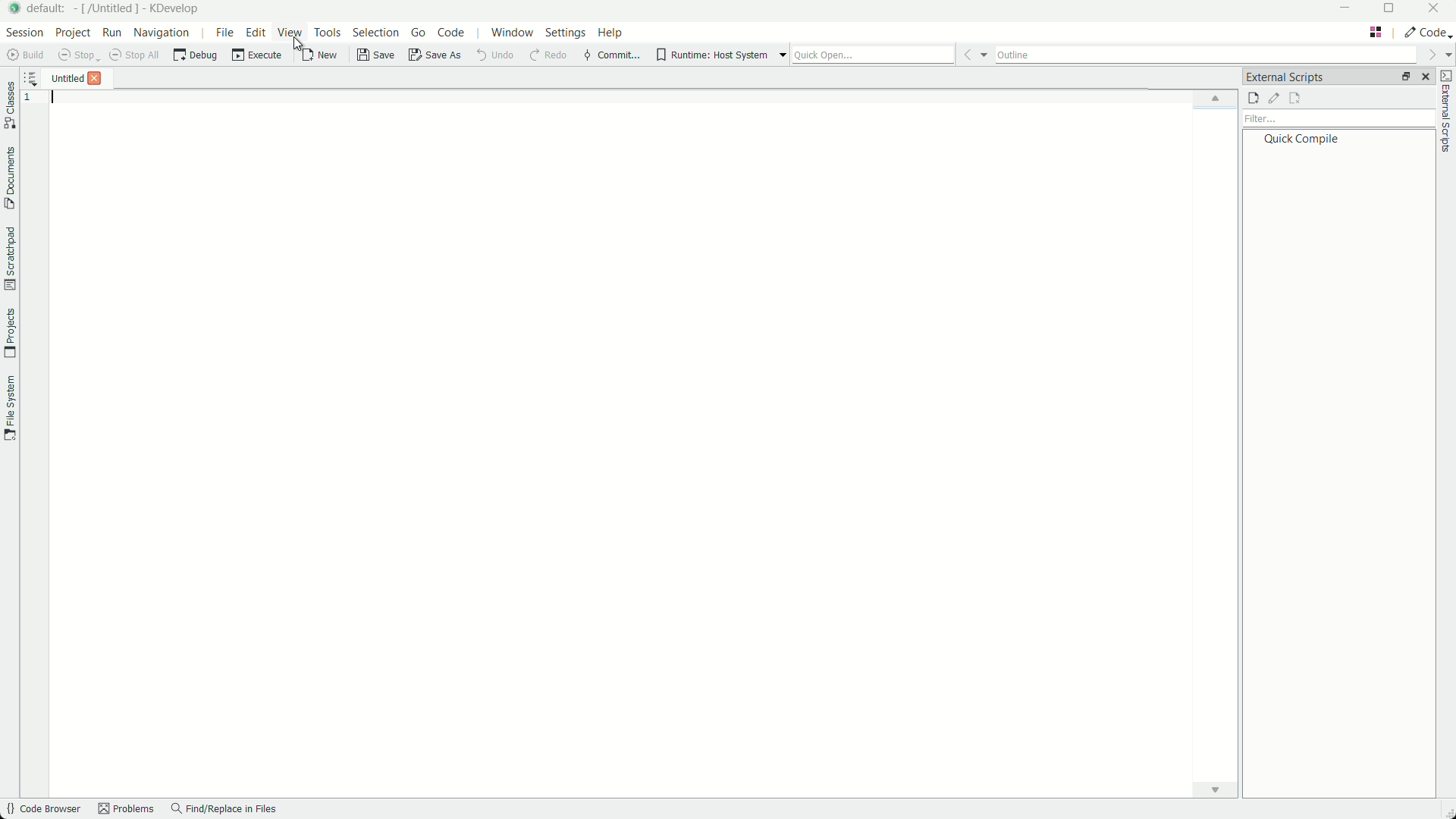 This screenshot has height=819, width=1456. I want to click on navigation, so click(163, 34).